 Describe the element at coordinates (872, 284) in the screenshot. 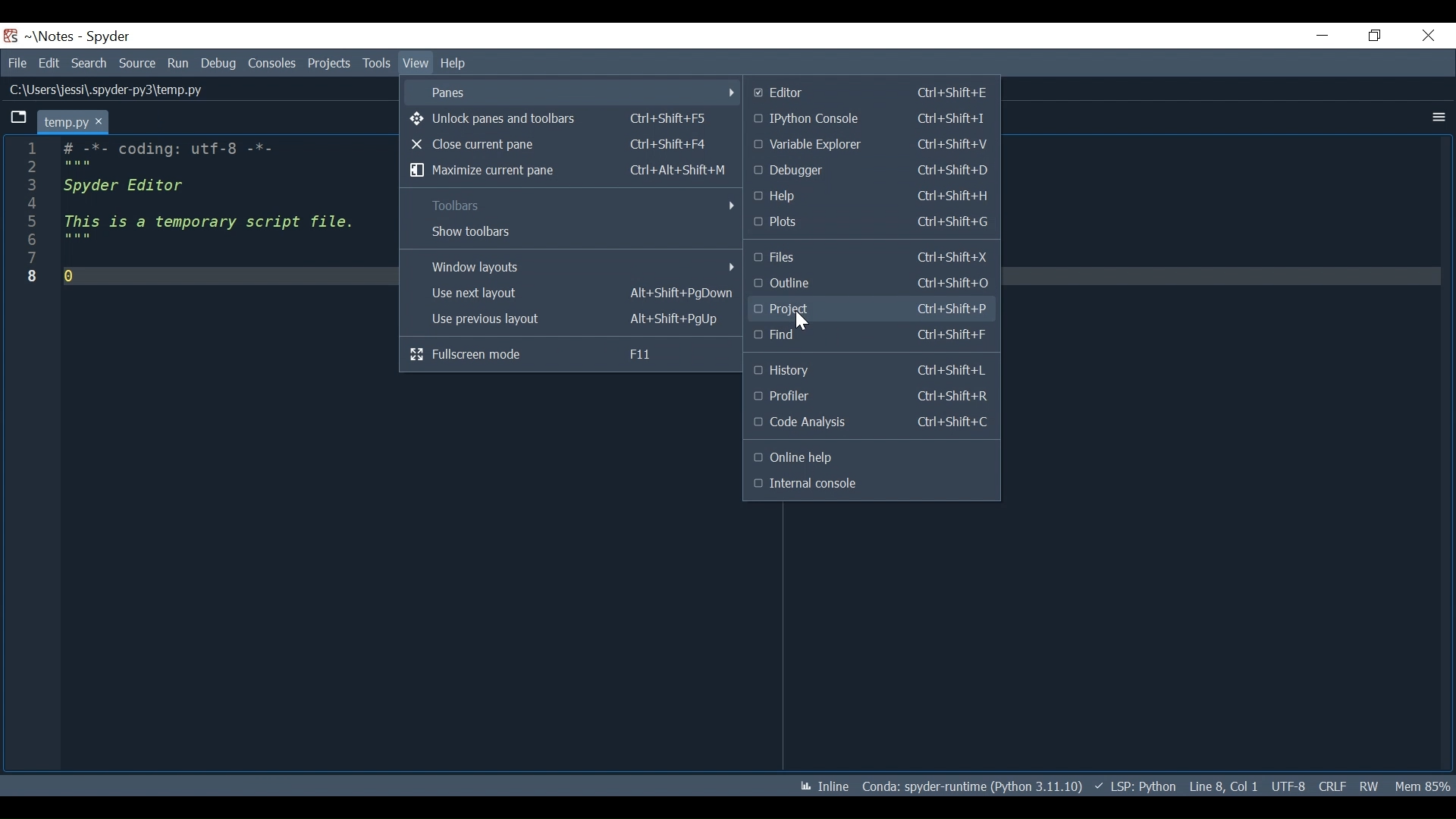

I see `Outline` at that location.